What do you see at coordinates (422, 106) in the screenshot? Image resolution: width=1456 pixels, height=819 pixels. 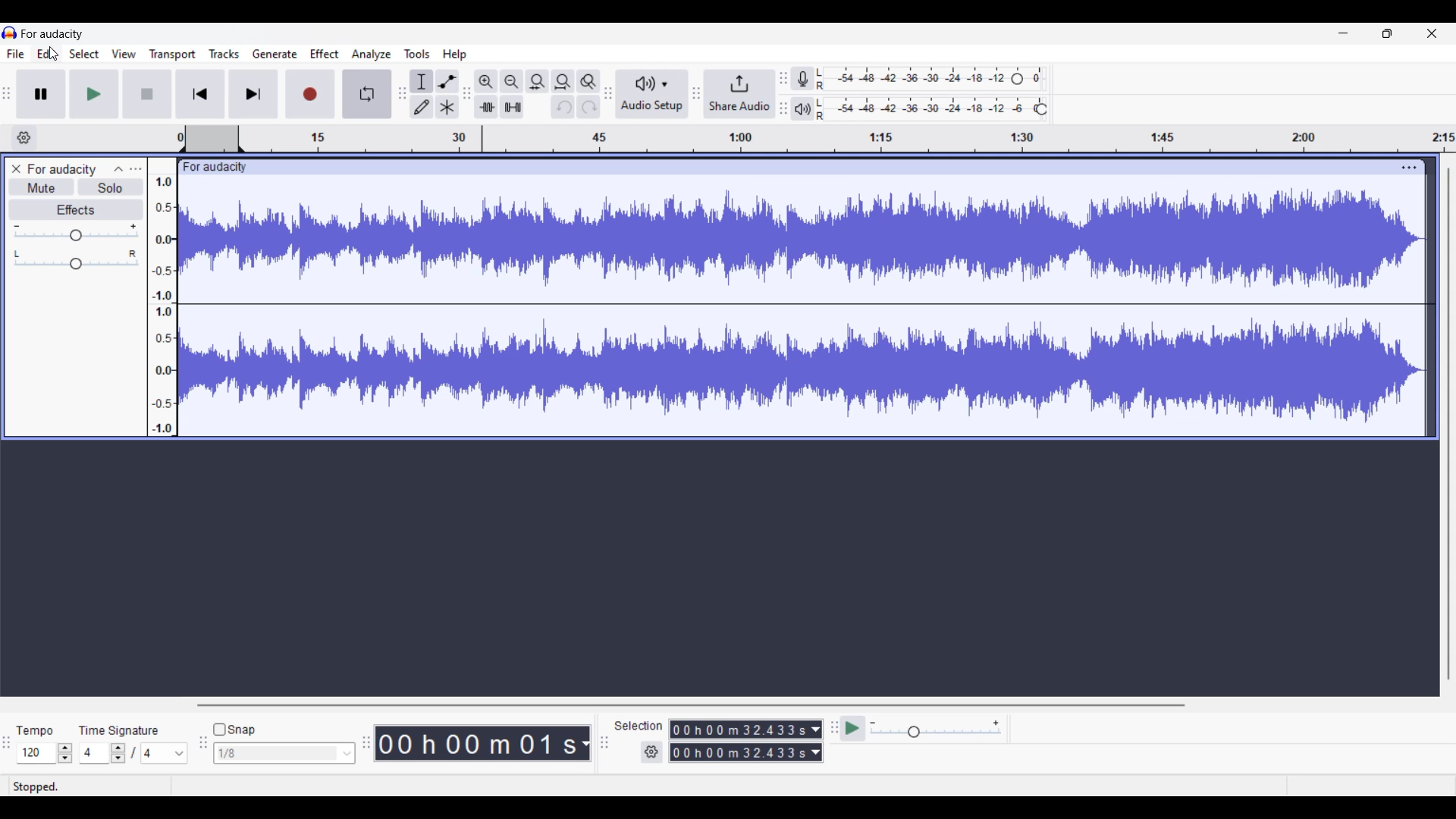 I see `Draw tool` at bounding box center [422, 106].